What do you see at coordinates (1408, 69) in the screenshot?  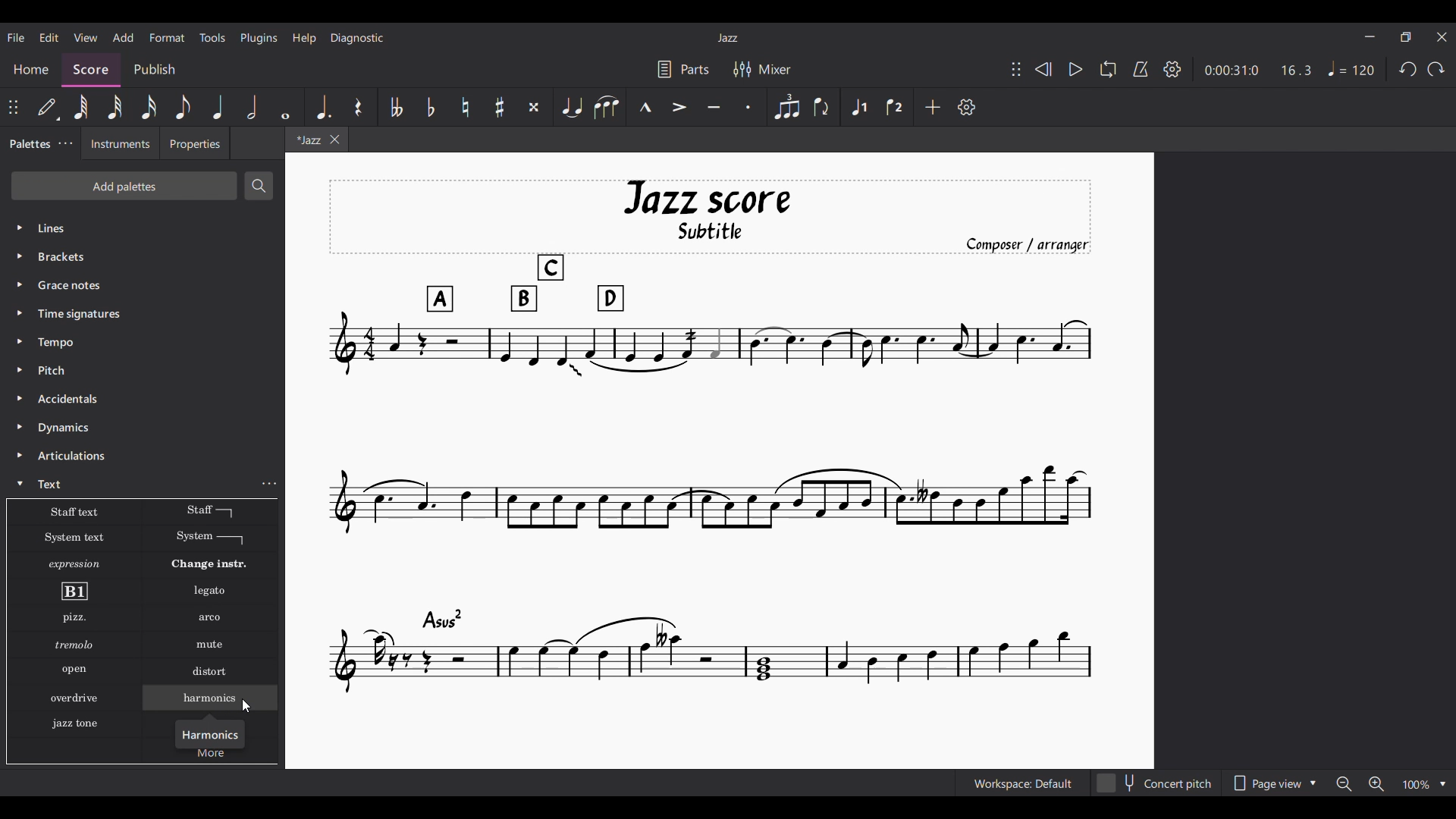 I see `Undo` at bounding box center [1408, 69].